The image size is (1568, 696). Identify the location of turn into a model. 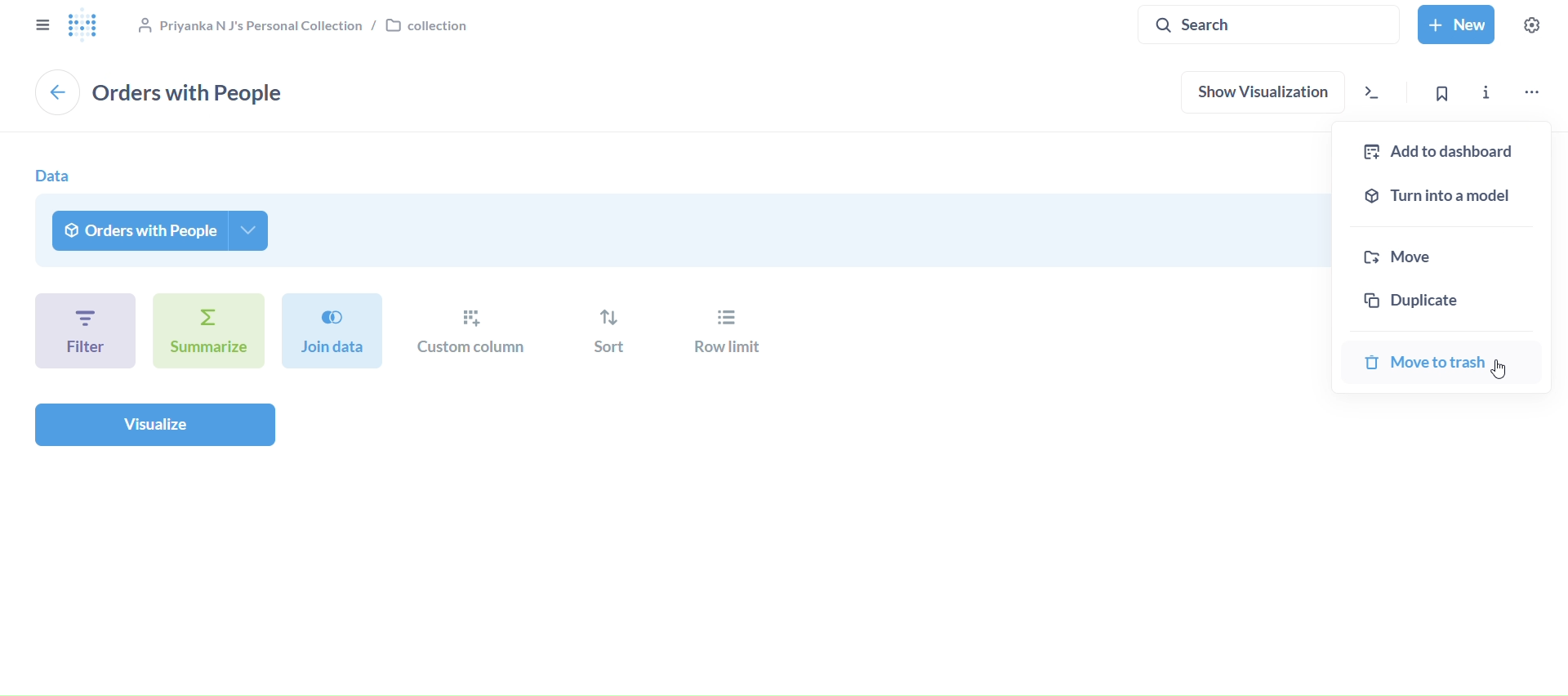
(1441, 199).